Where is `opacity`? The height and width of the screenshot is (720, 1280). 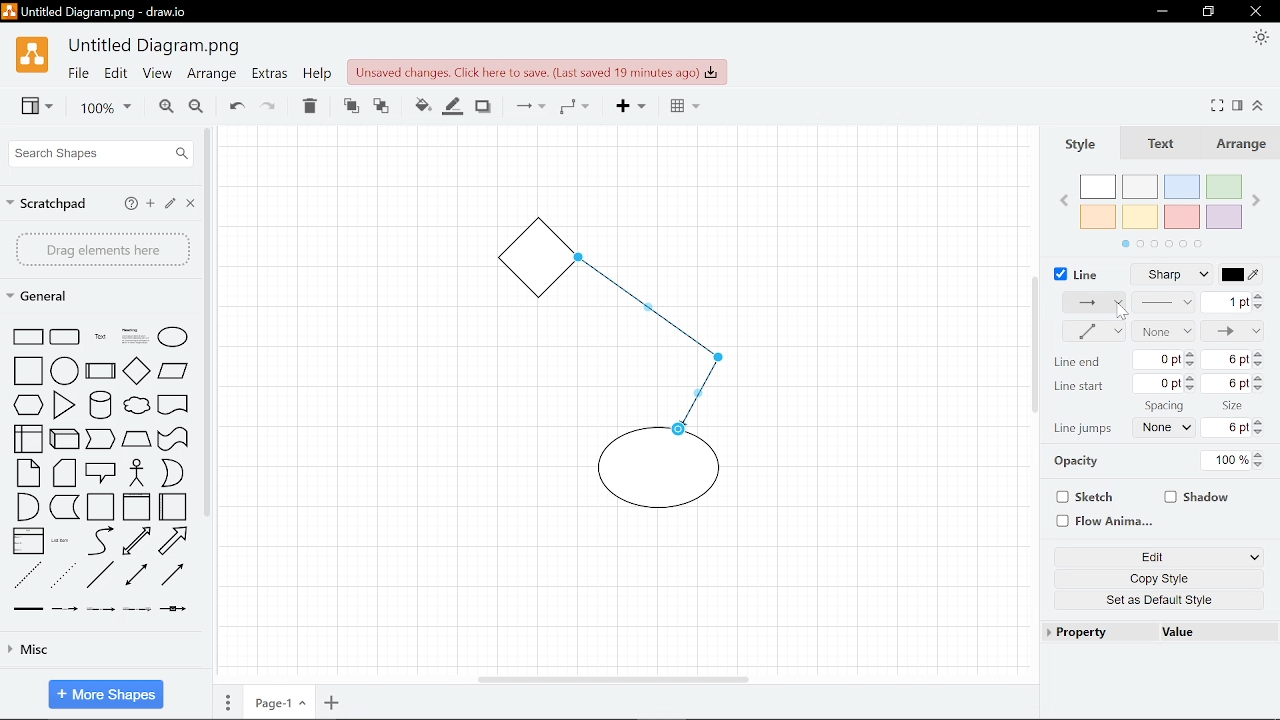
opacity is located at coordinates (1086, 463).